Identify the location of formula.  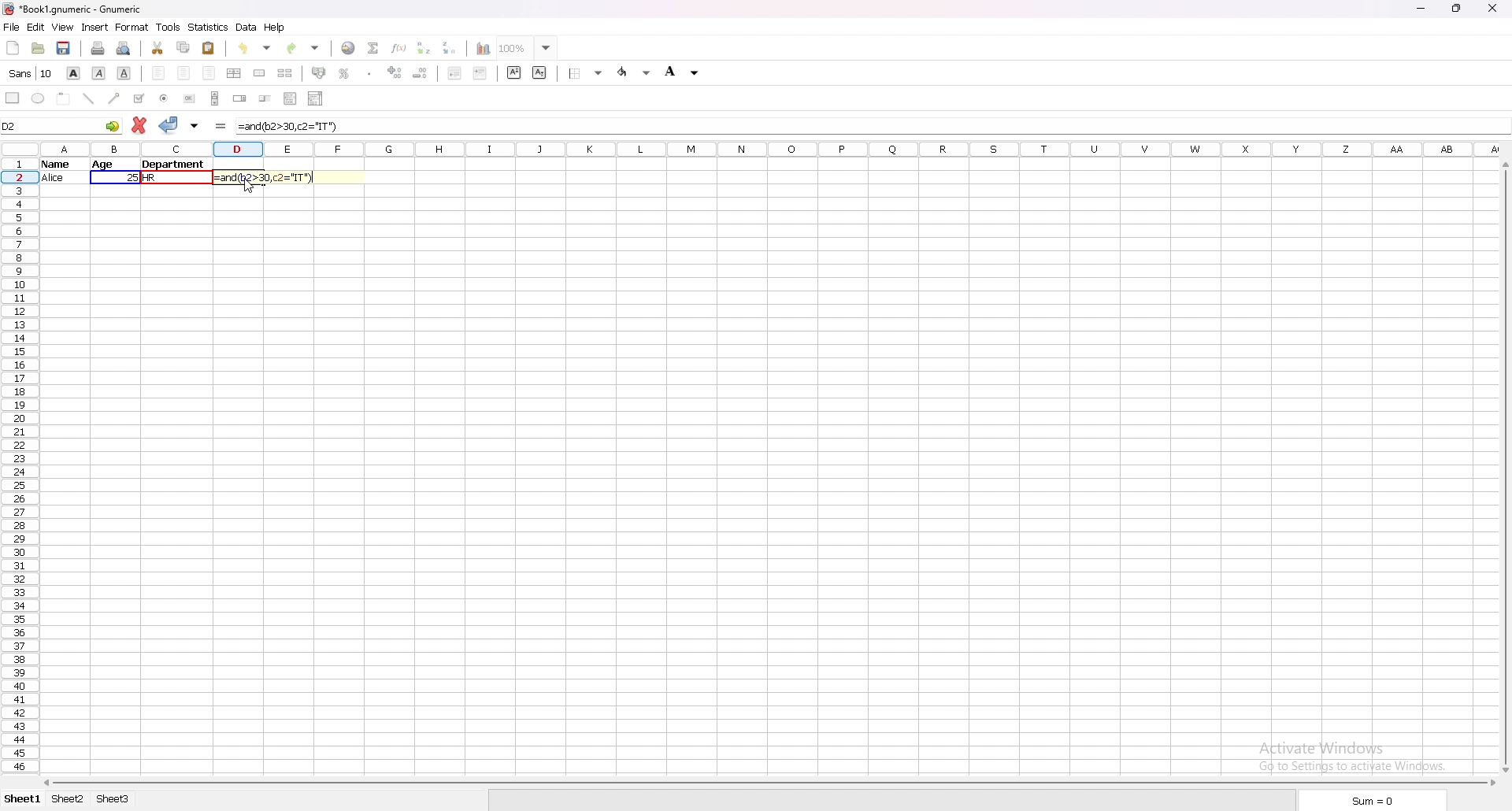
(221, 126).